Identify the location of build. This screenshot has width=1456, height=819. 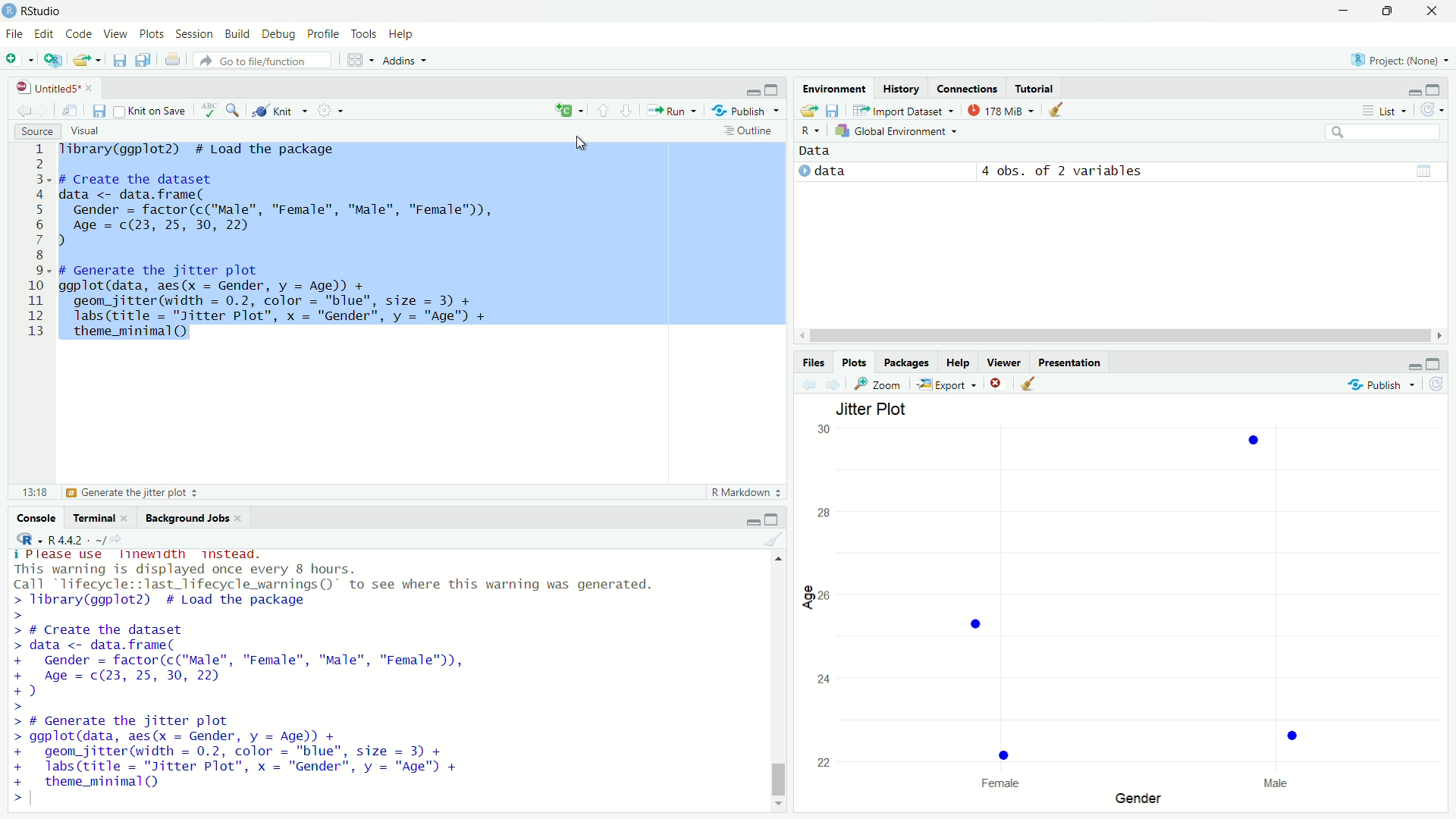
(236, 32).